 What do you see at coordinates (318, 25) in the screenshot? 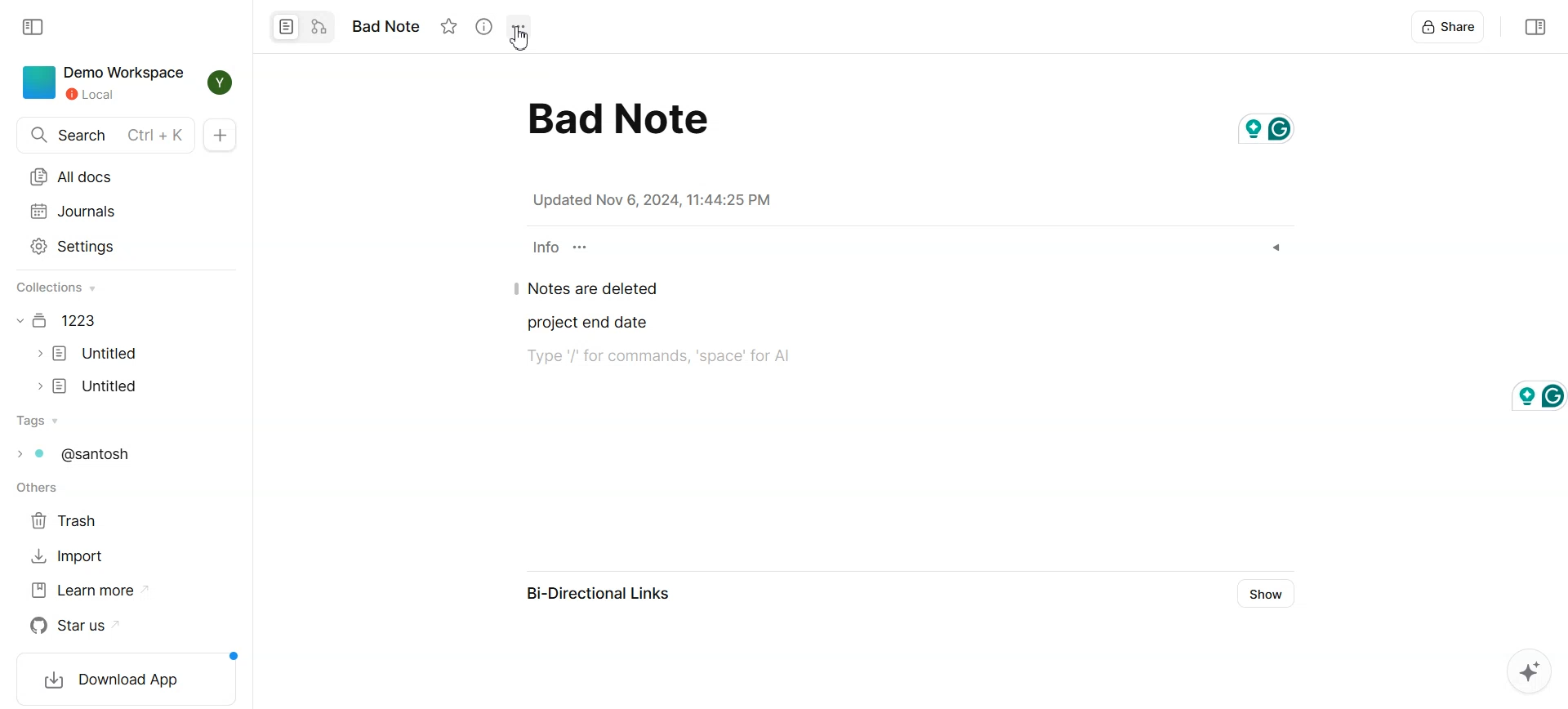
I see `Convert to edgeless` at bounding box center [318, 25].